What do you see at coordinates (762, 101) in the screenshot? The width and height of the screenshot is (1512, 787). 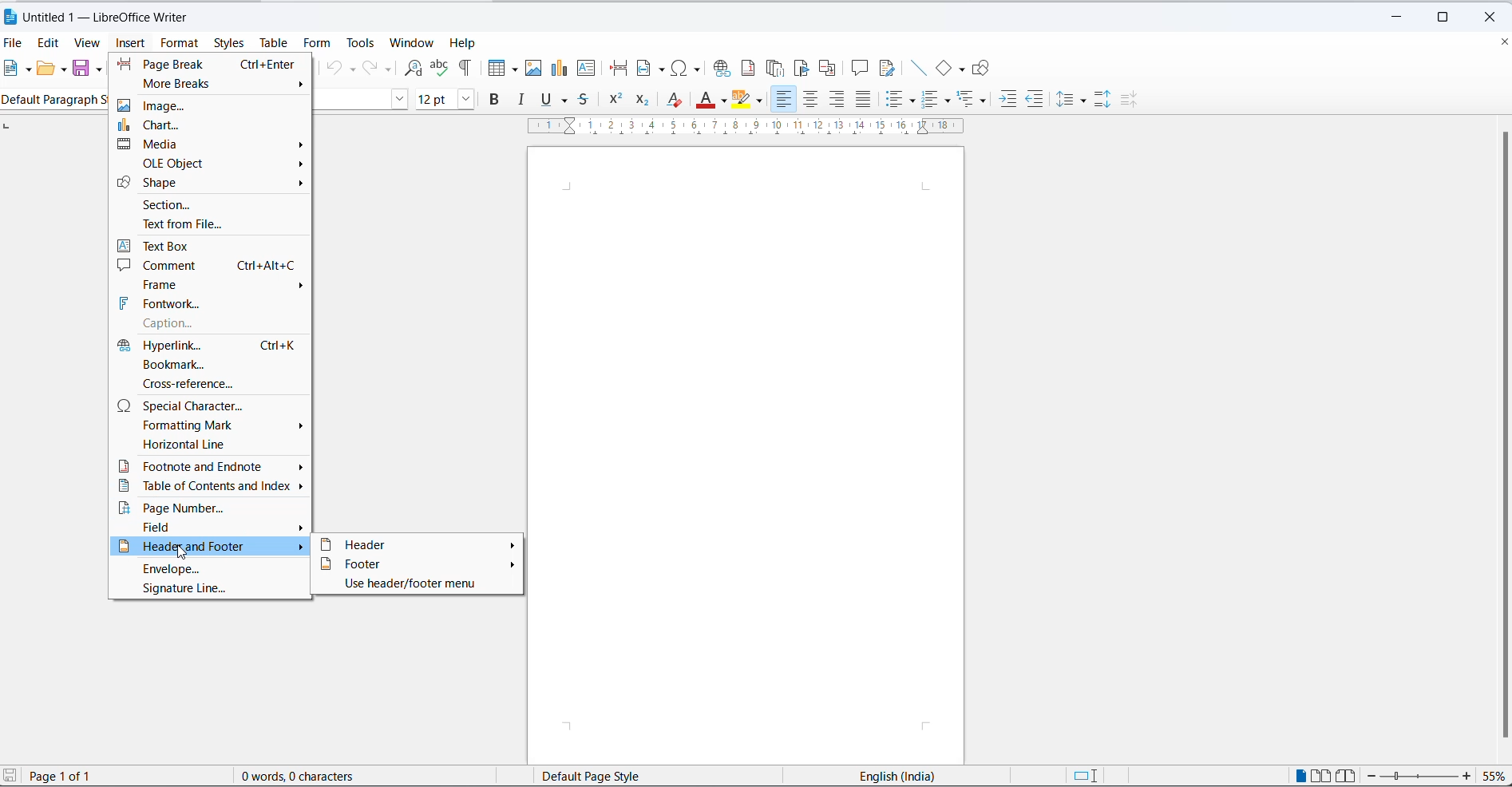 I see `character highlighting options` at bounding box center [762, 101].